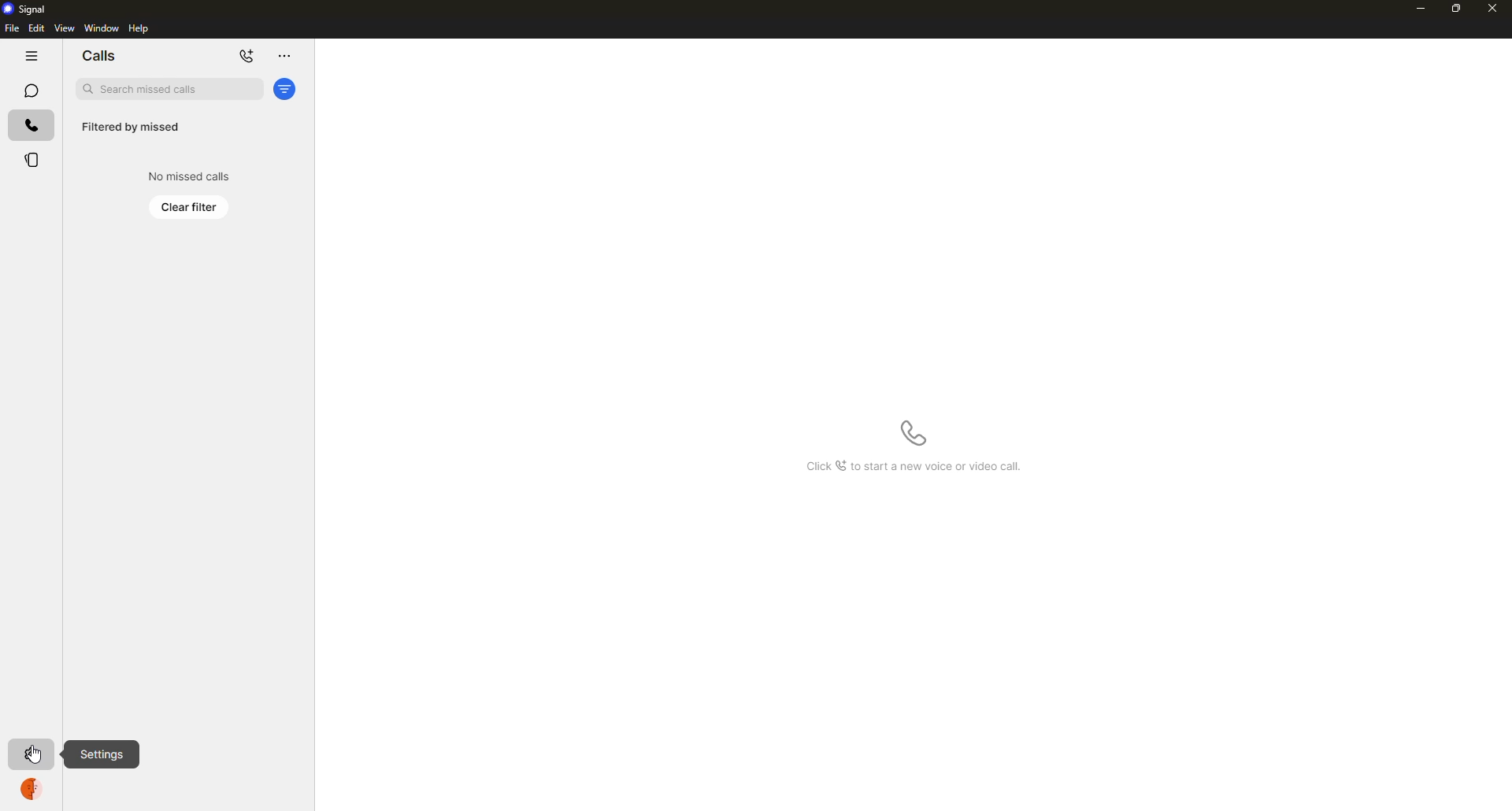 Image resolution: width=1512 pixels, height=811 pixels. Describe the element at coordinates (36, 28) in the screenshot. I see `edit` at that location.